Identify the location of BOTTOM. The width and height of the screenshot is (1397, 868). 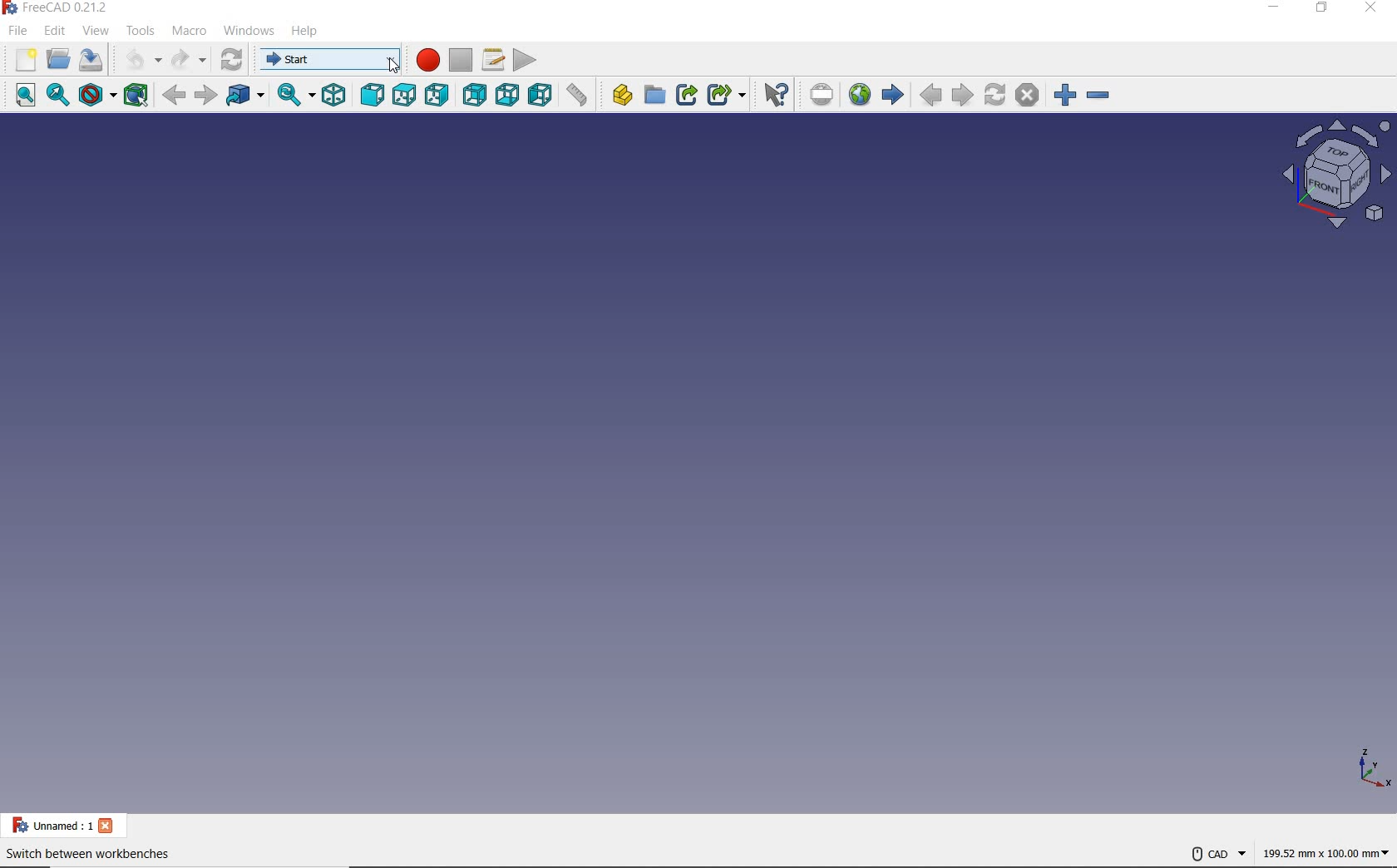
(507, 93).